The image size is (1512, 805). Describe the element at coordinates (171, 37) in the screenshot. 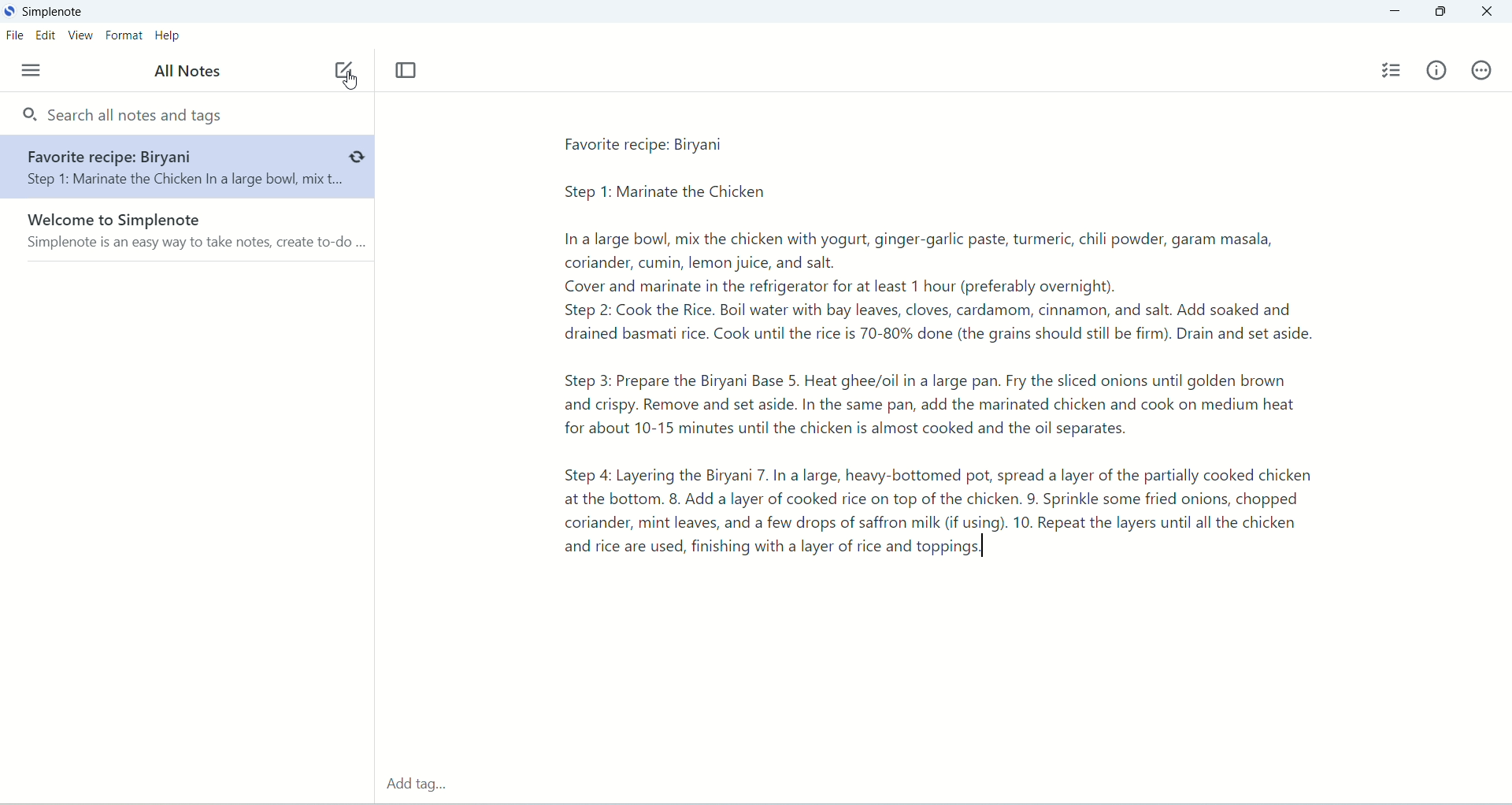

I see `help` at that location.